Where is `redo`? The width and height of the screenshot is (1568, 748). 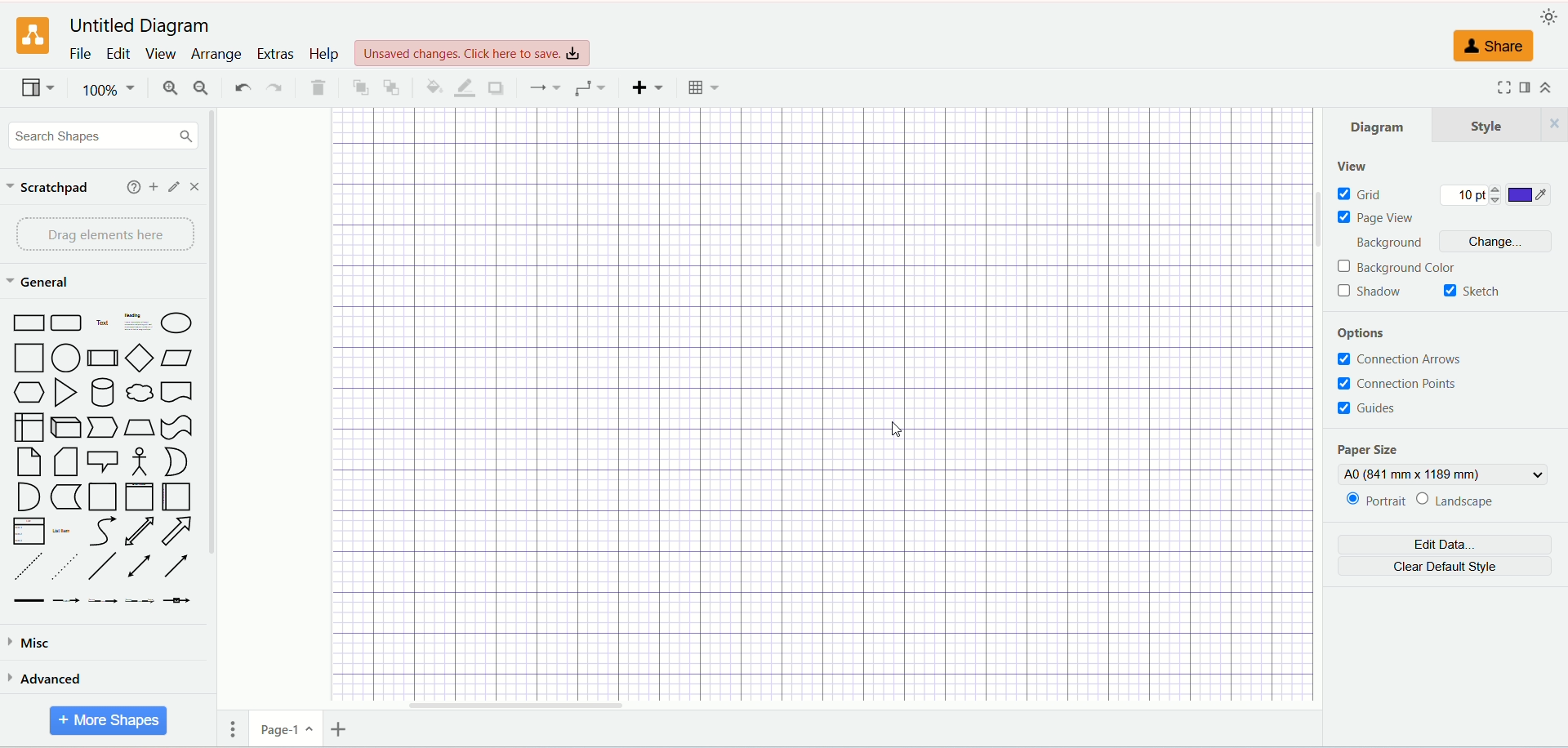 redo is located at coordinates (274, 89).